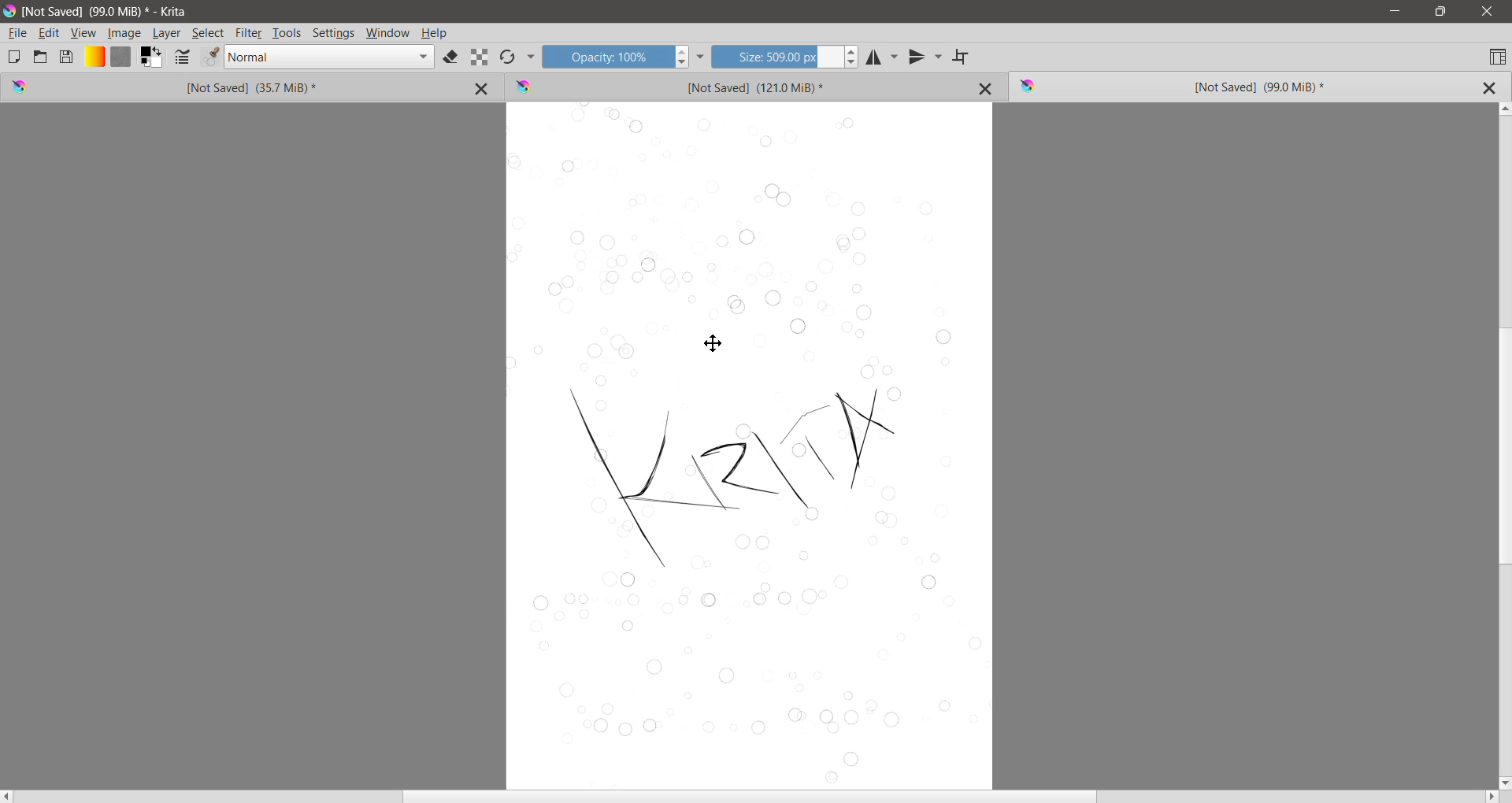  I want to click on Close, so click(1488, 12).